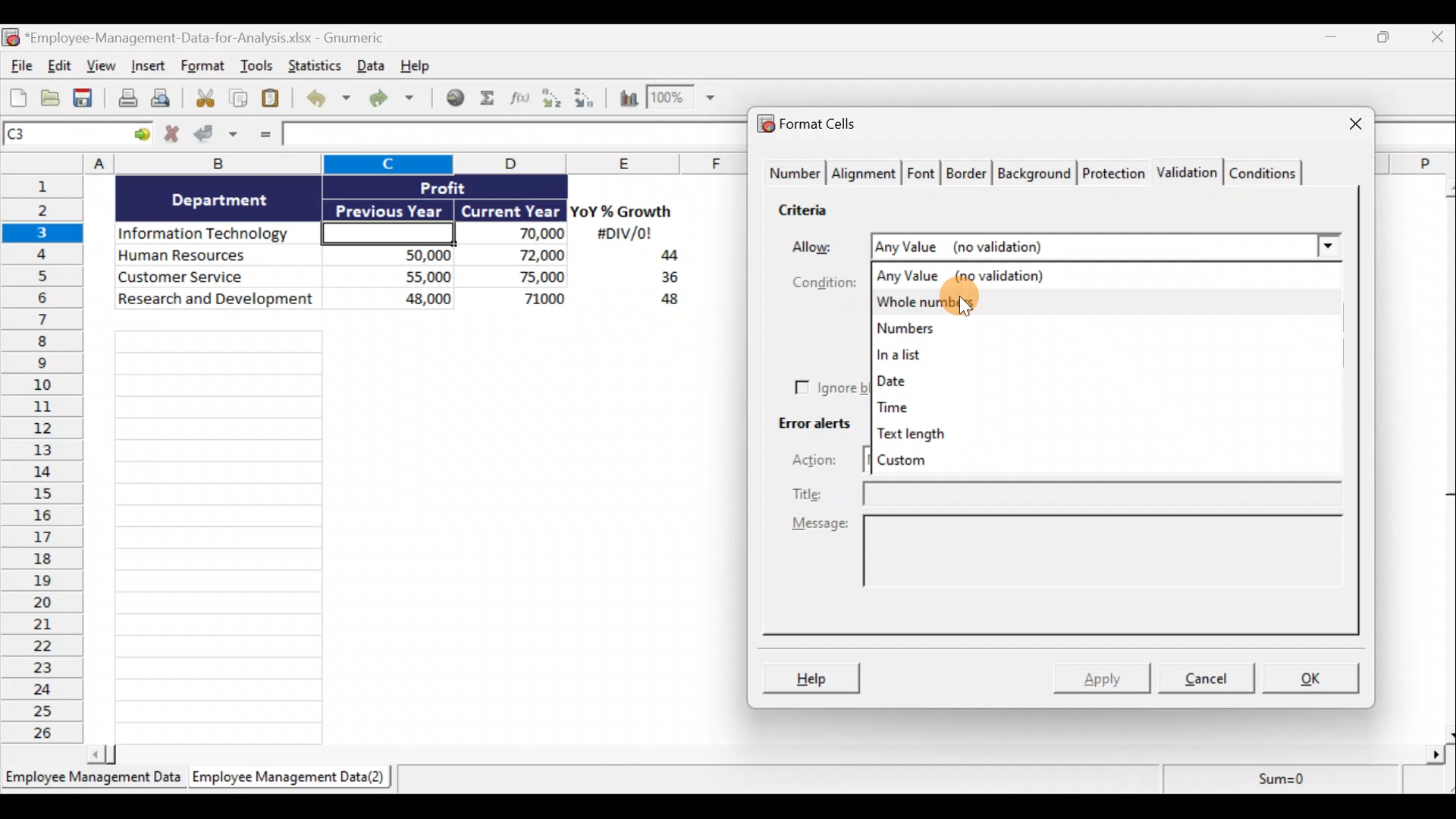  What do you see at coordinates (1110, 411) in the screenshot?
I see `Time` at bounding box center [1110, 411].